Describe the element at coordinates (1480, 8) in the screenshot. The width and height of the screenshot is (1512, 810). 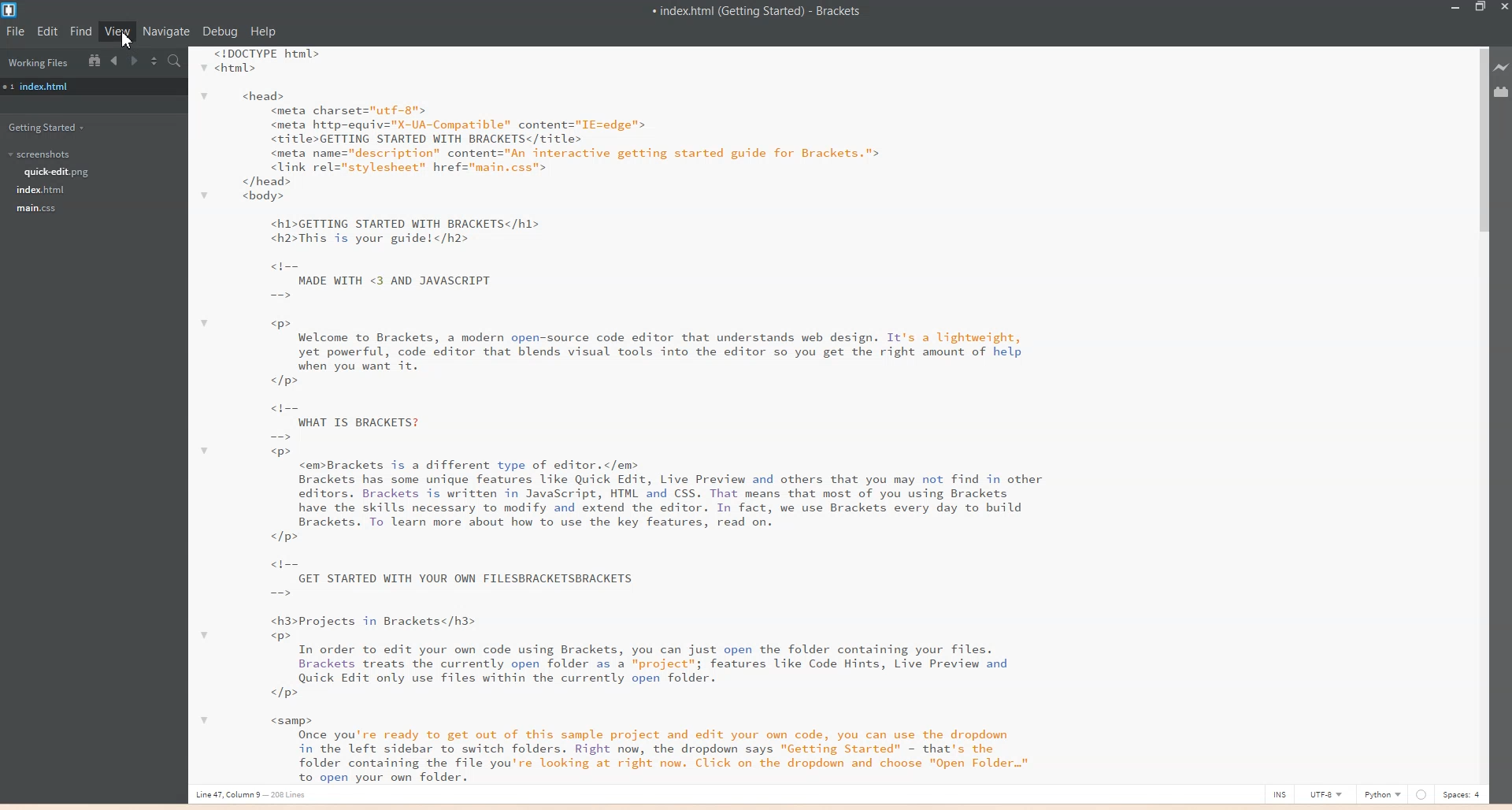
I see `Maximize` at that location.